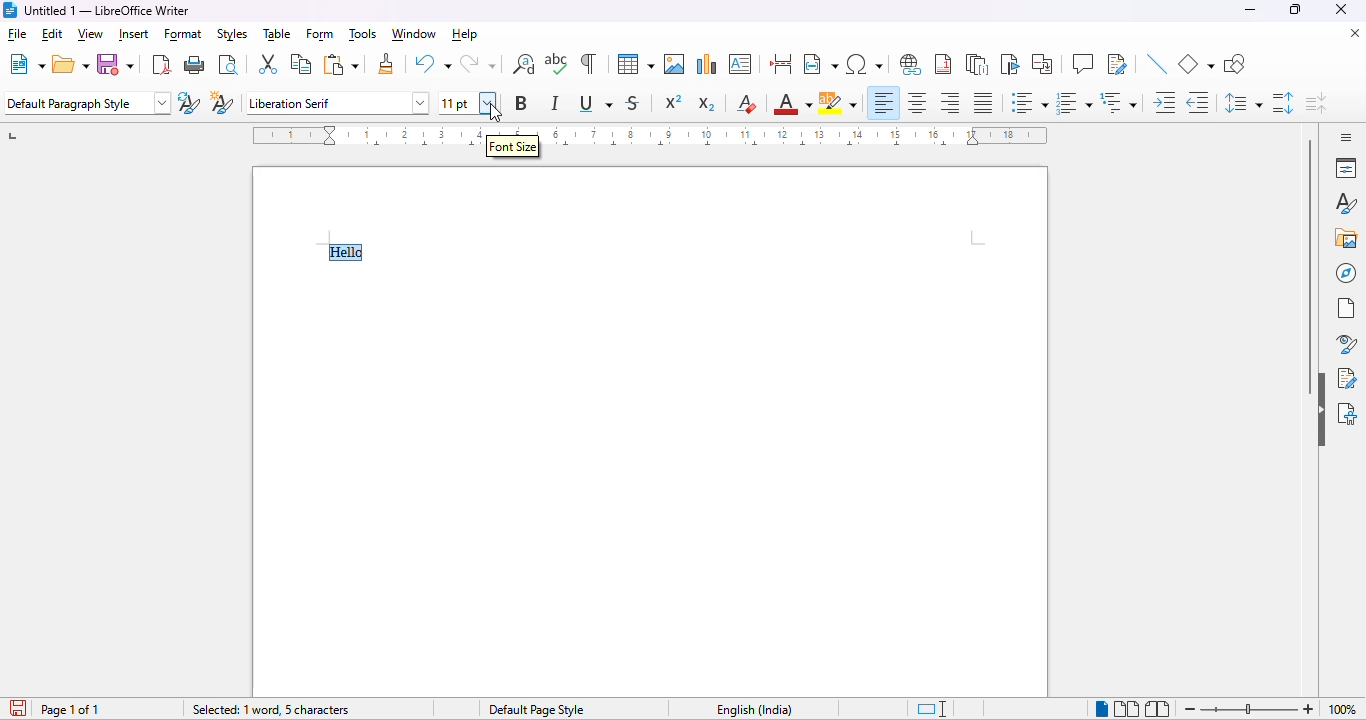 Image resolution: width=1366 pixels, height=720 pixels. Describe the element at coordinates (556, 104) in the screenshot. I see `italic` at that location.